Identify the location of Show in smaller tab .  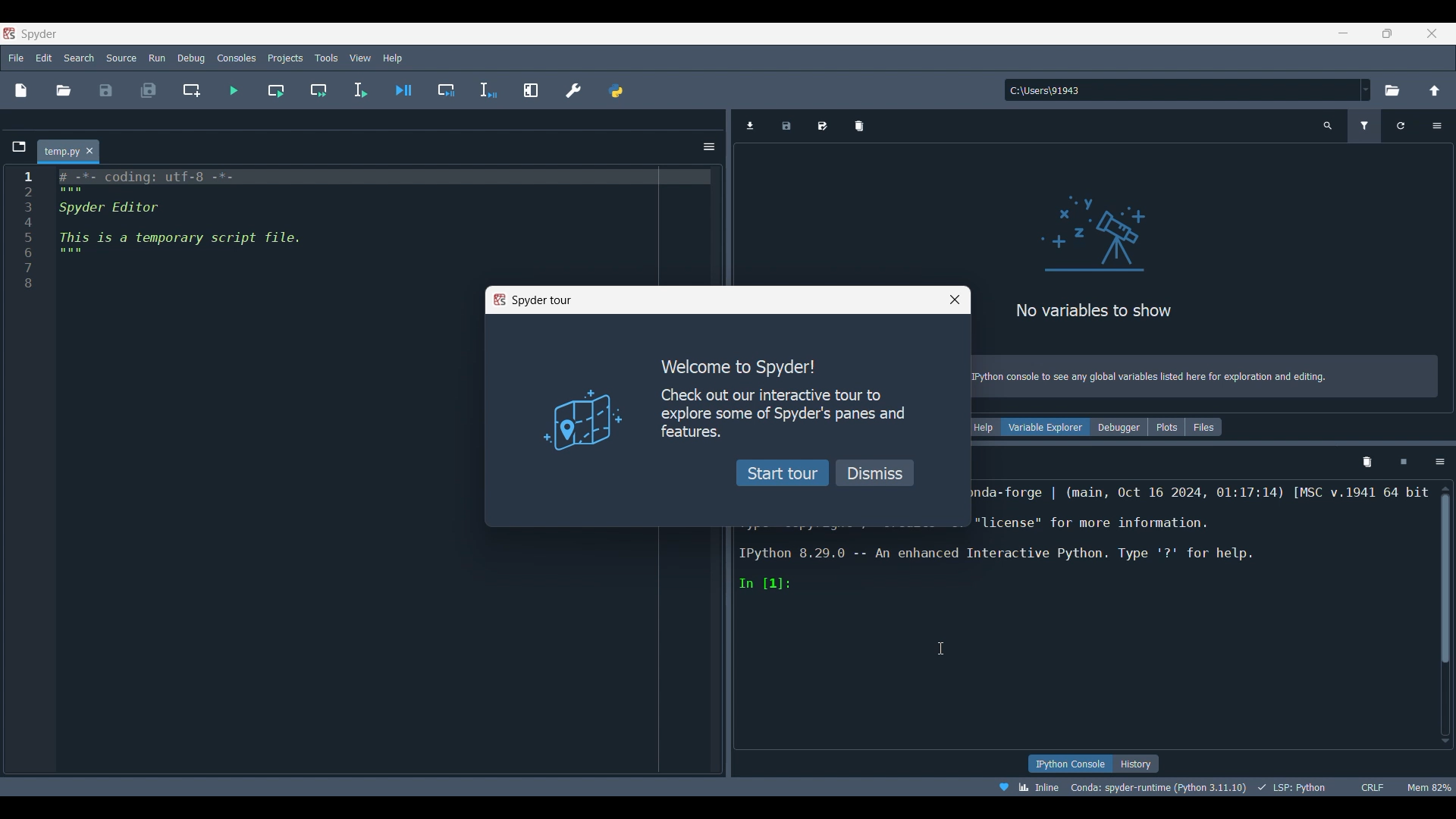
(1387, 33).